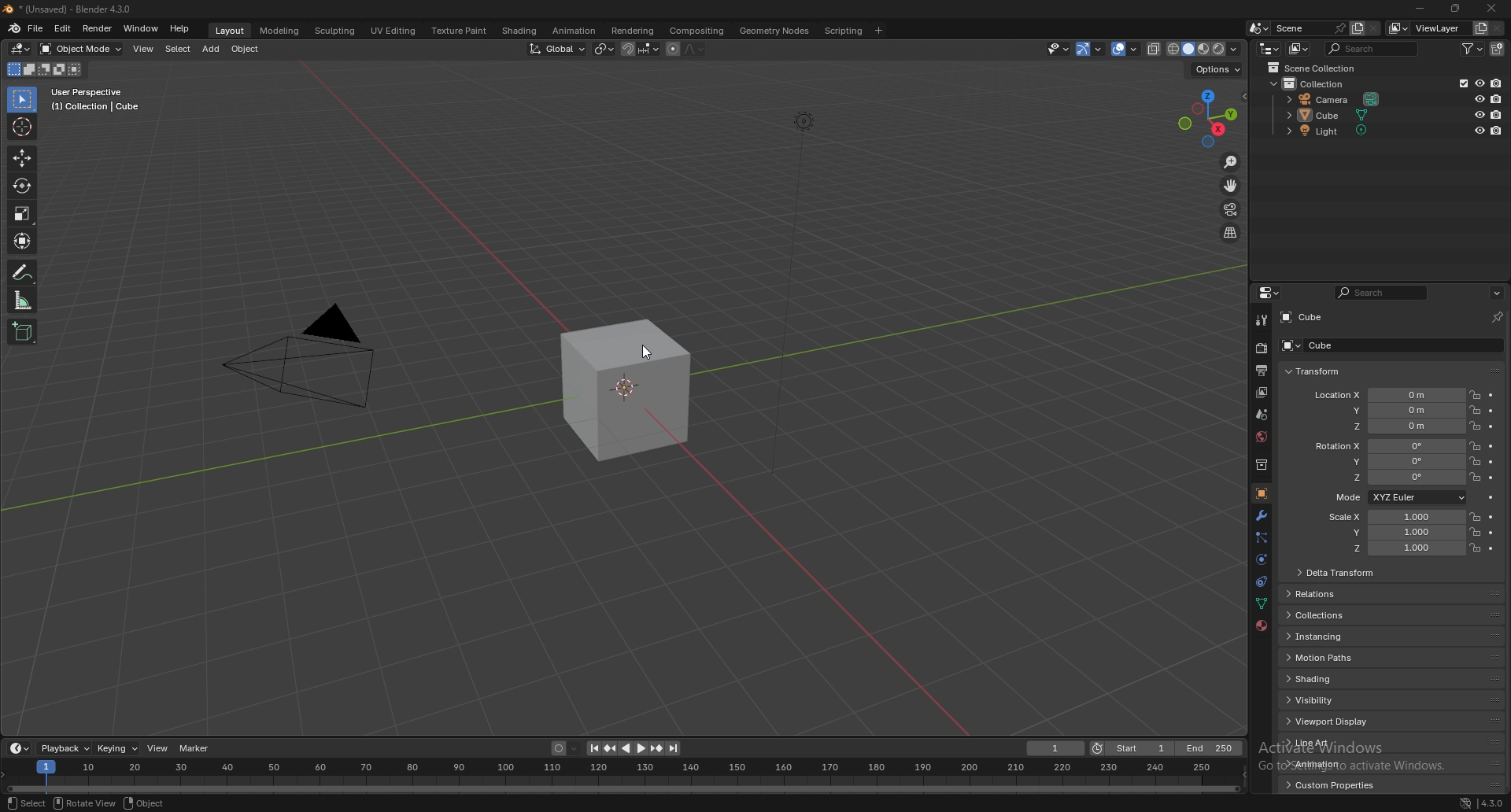  I want to click on line art, so click(1329, 743).